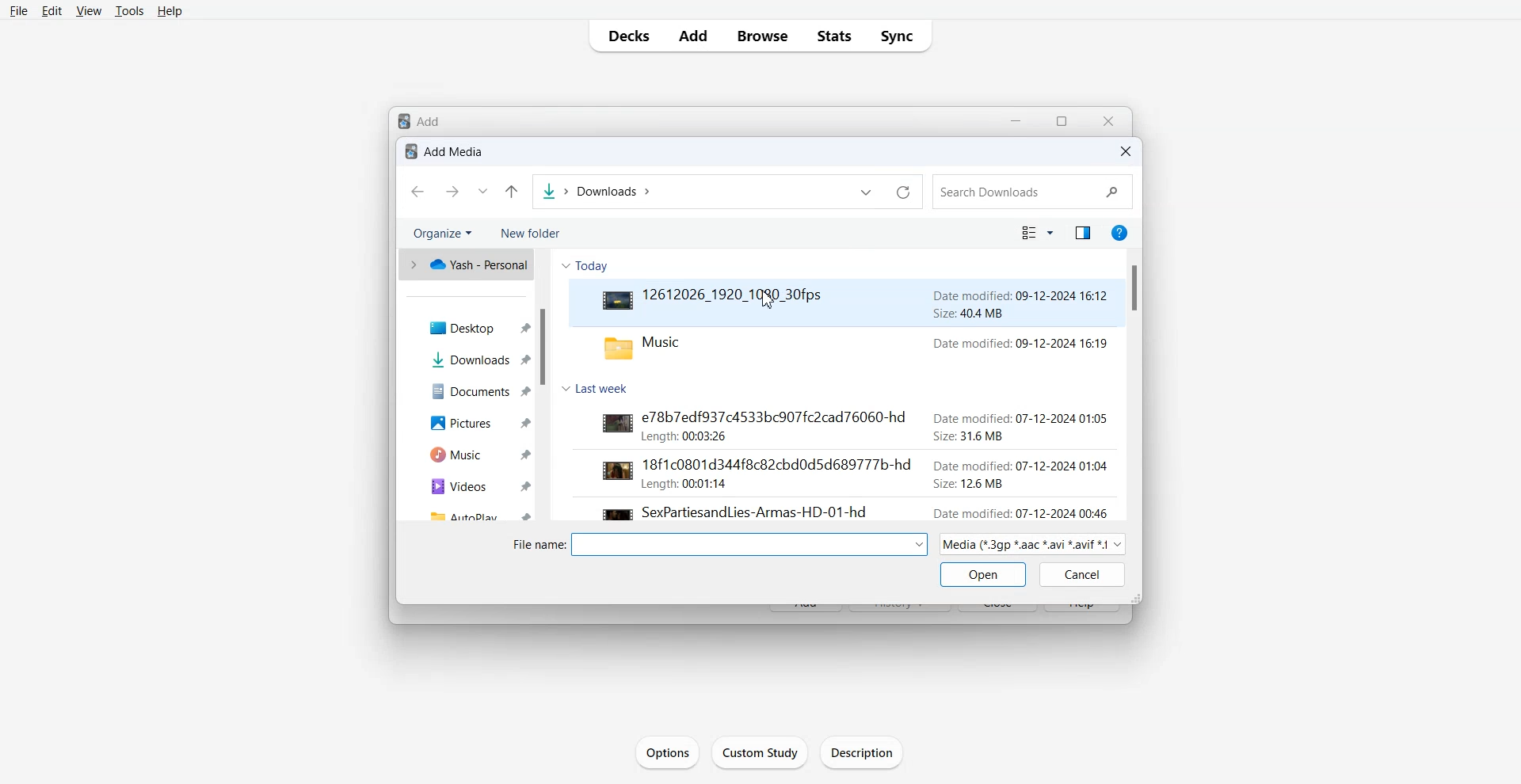  I want to click on video file, so click(746, 472).